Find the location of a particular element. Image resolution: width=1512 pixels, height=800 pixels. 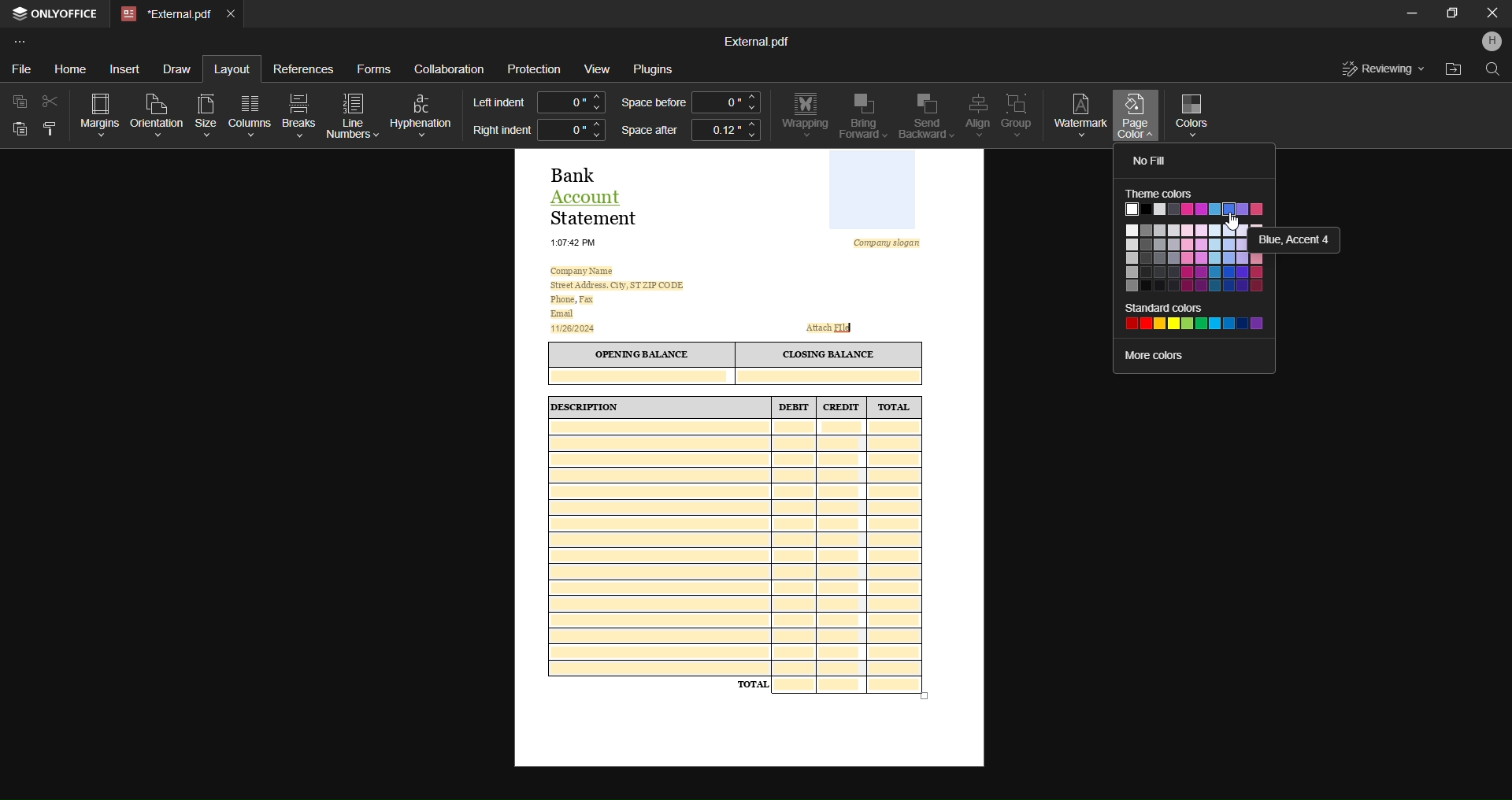

Standard Colors is located at coordinates (1195, 317).